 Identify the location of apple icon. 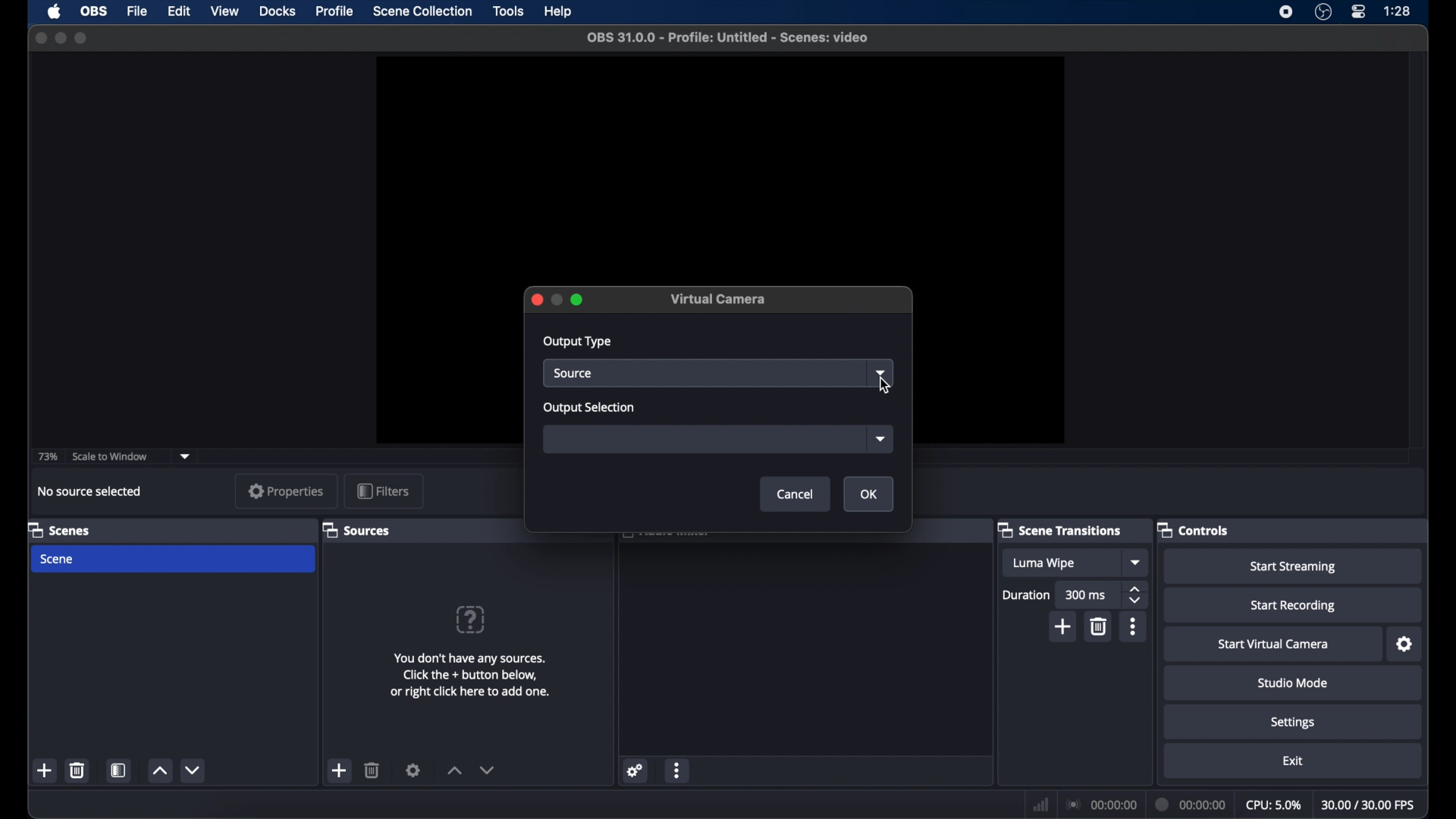
(54, 12).